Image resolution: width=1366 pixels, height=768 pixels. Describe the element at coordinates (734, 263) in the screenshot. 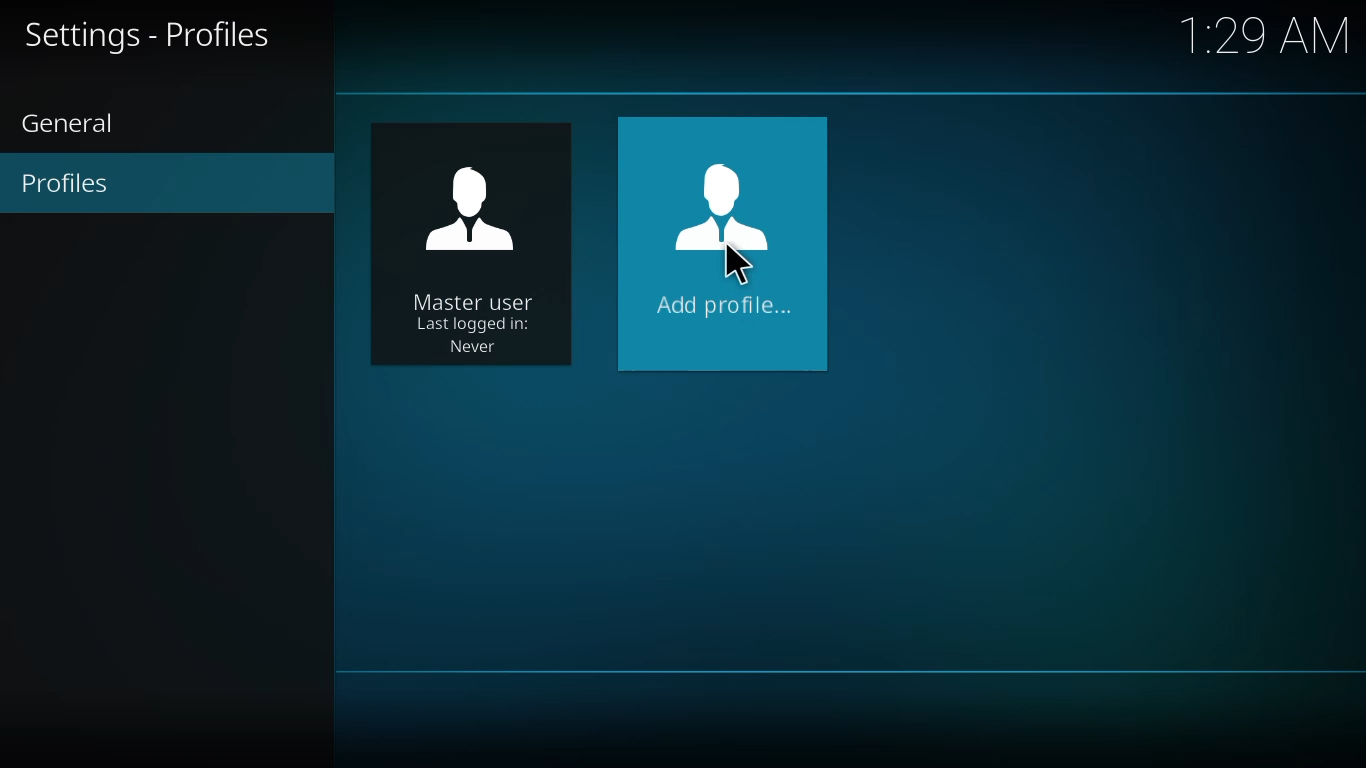

I see `cursor` at that location.